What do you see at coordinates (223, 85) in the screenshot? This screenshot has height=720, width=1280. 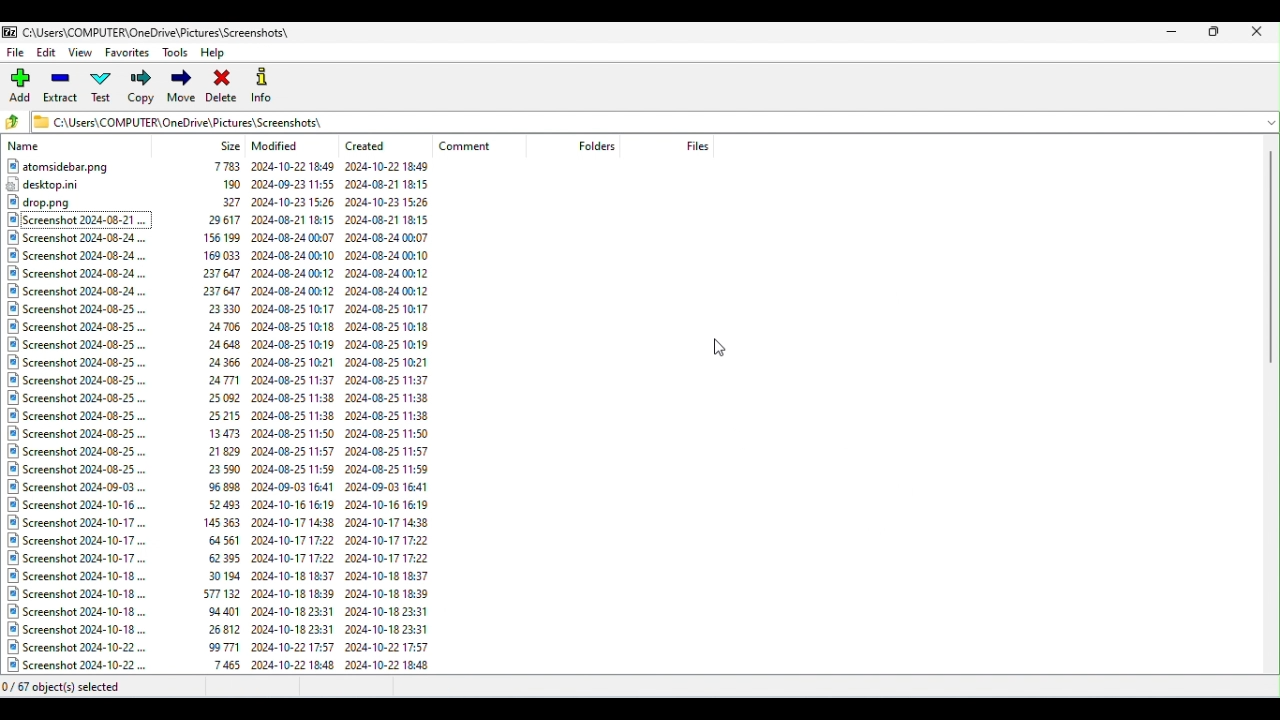 I see `Delete` at bounding box center [223, 85].